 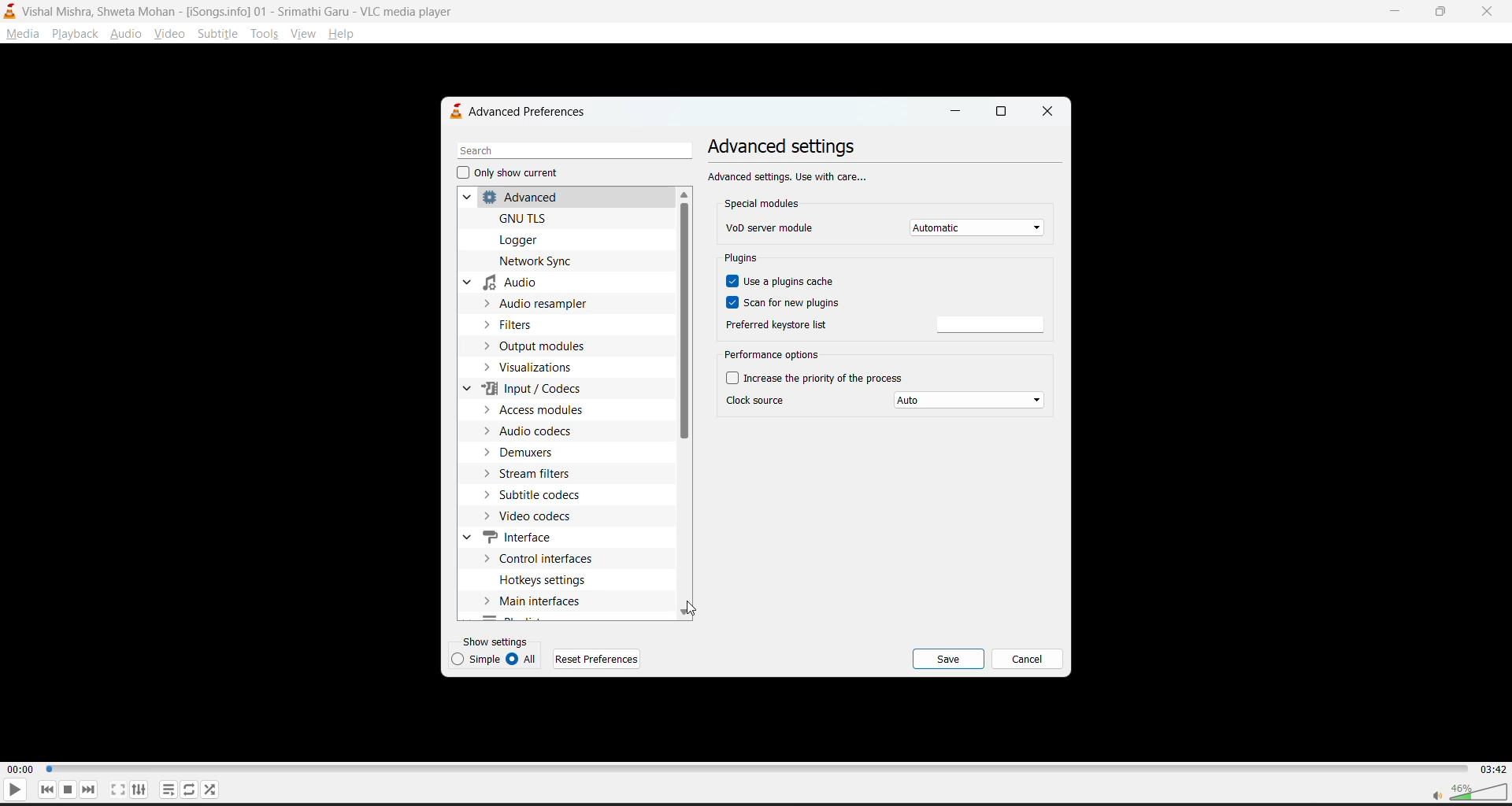 What do you see at coordinates (817, 379) in the screenshot?
I see `increase the priority of the process` at bounding box center [817, 379].